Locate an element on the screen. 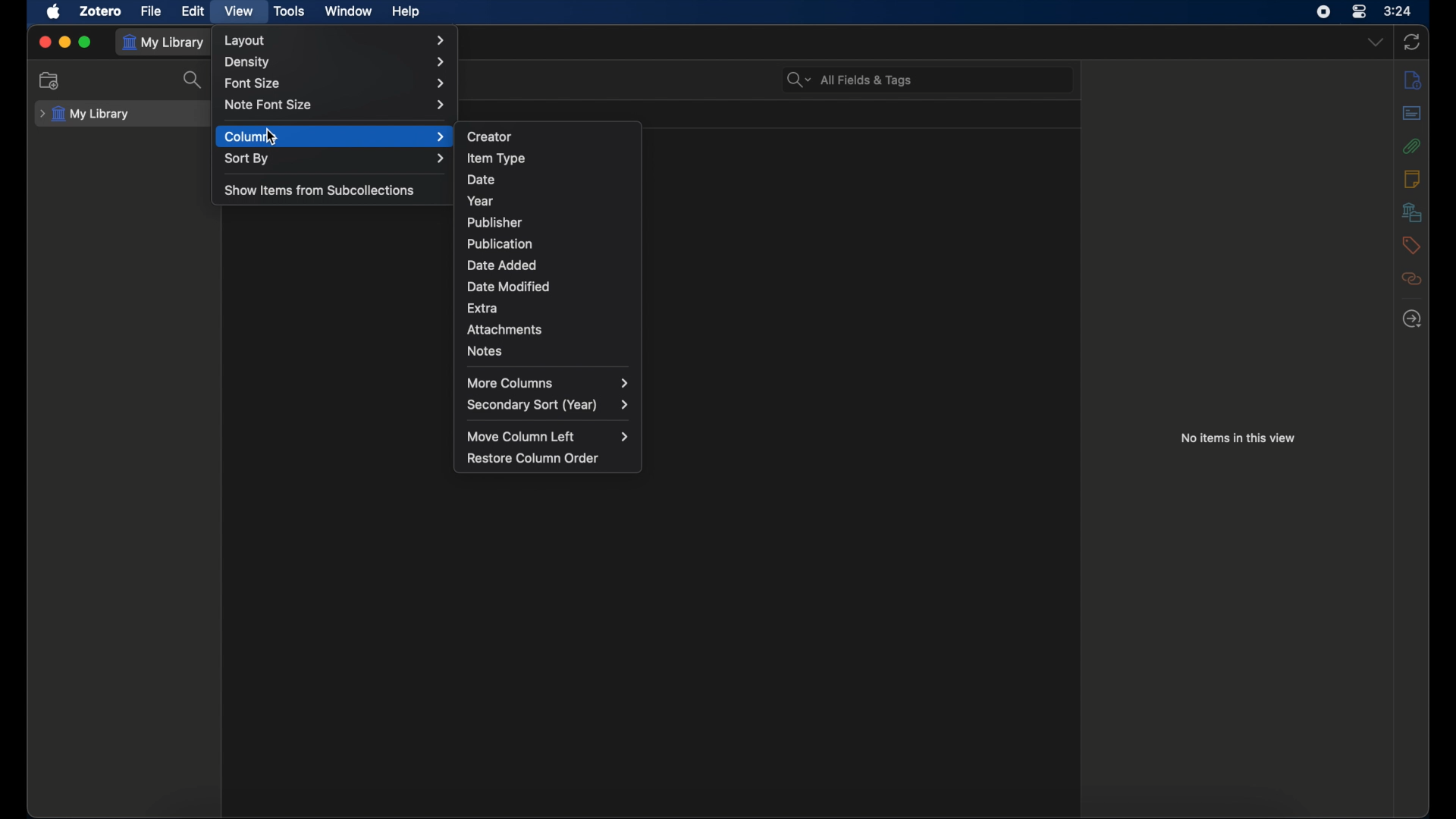 This screenshot has height=819, width=1456. related is located at coordinates (1412, 279).